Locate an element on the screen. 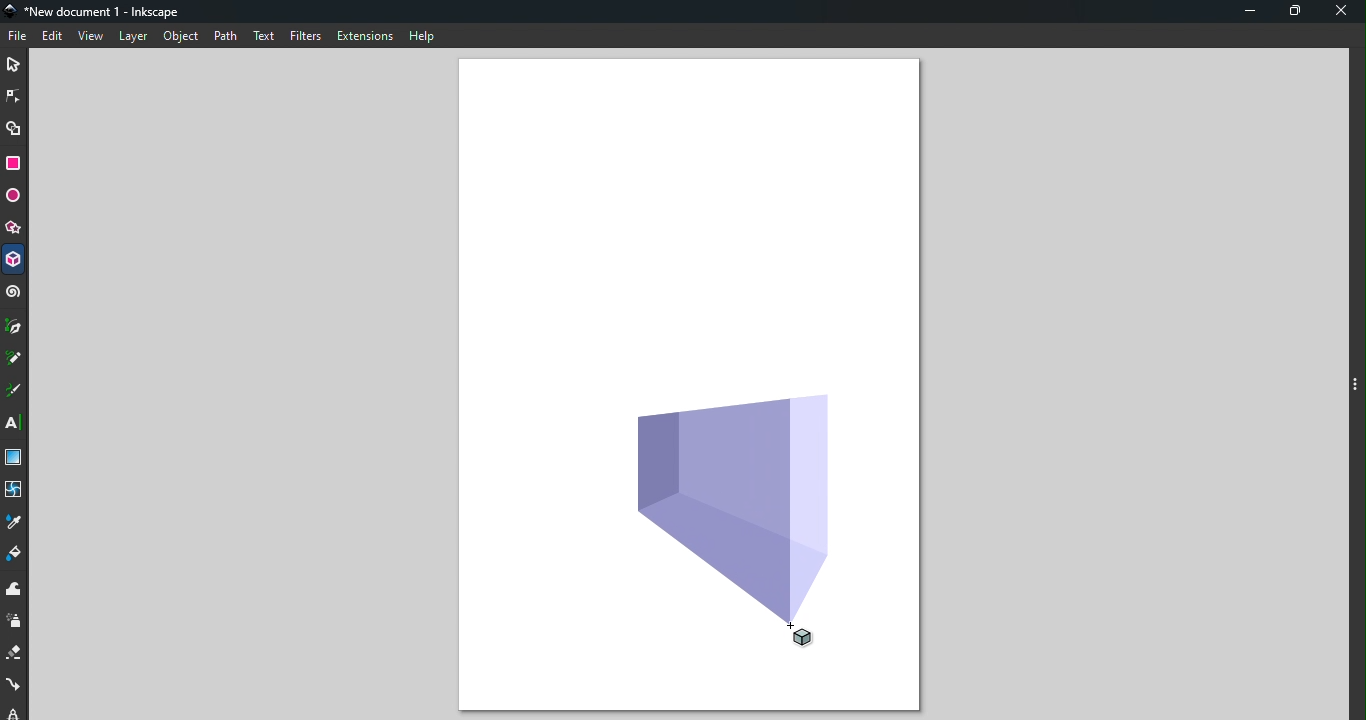 The width and height of the screenshot is (1366, 720). Object is located at coordinates (744, 502).